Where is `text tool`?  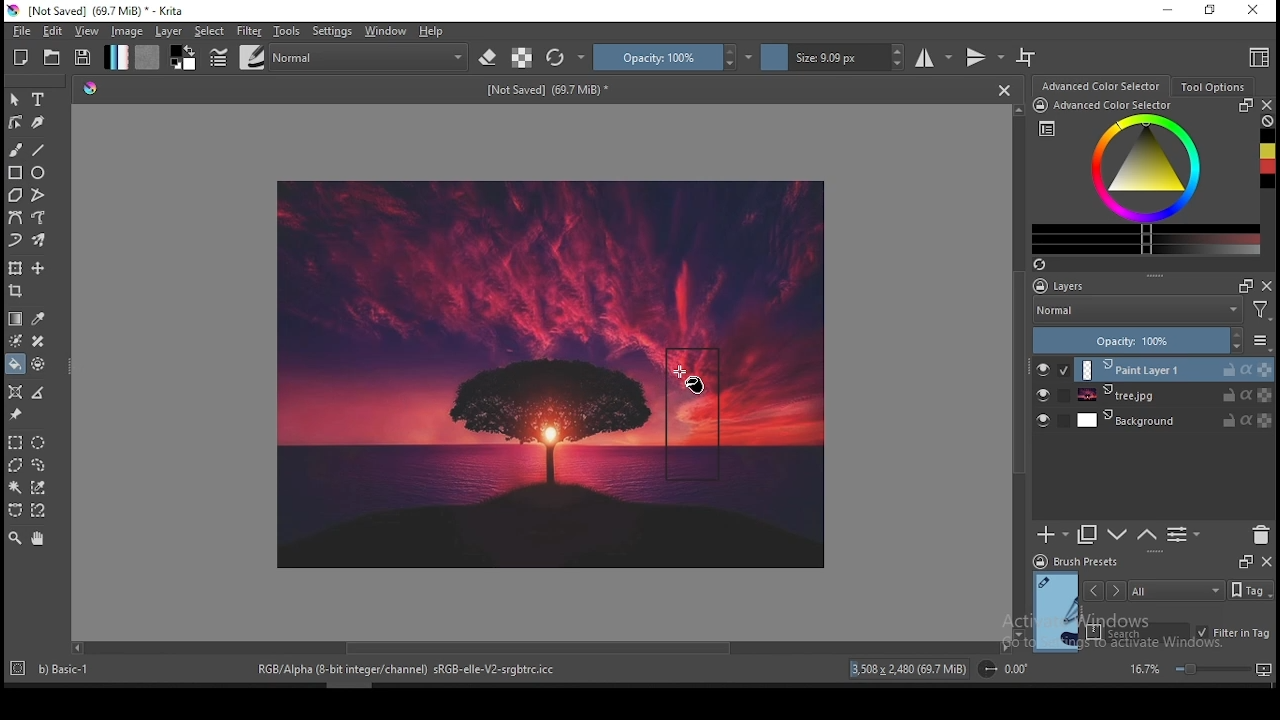
text tool is located at coordinates (39, 99).